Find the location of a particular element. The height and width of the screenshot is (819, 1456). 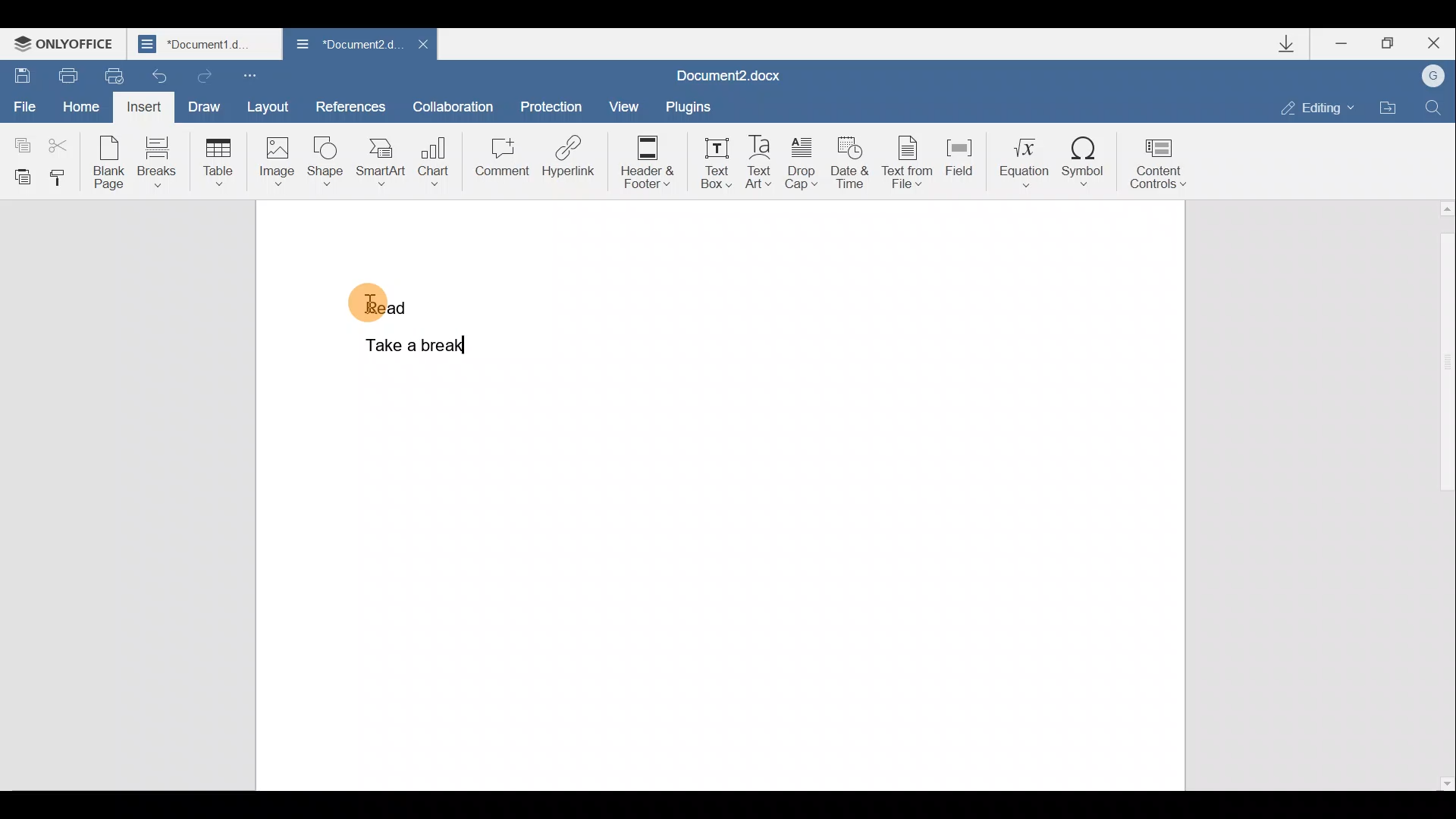

Open file location is located at coordinates (1389, 108).